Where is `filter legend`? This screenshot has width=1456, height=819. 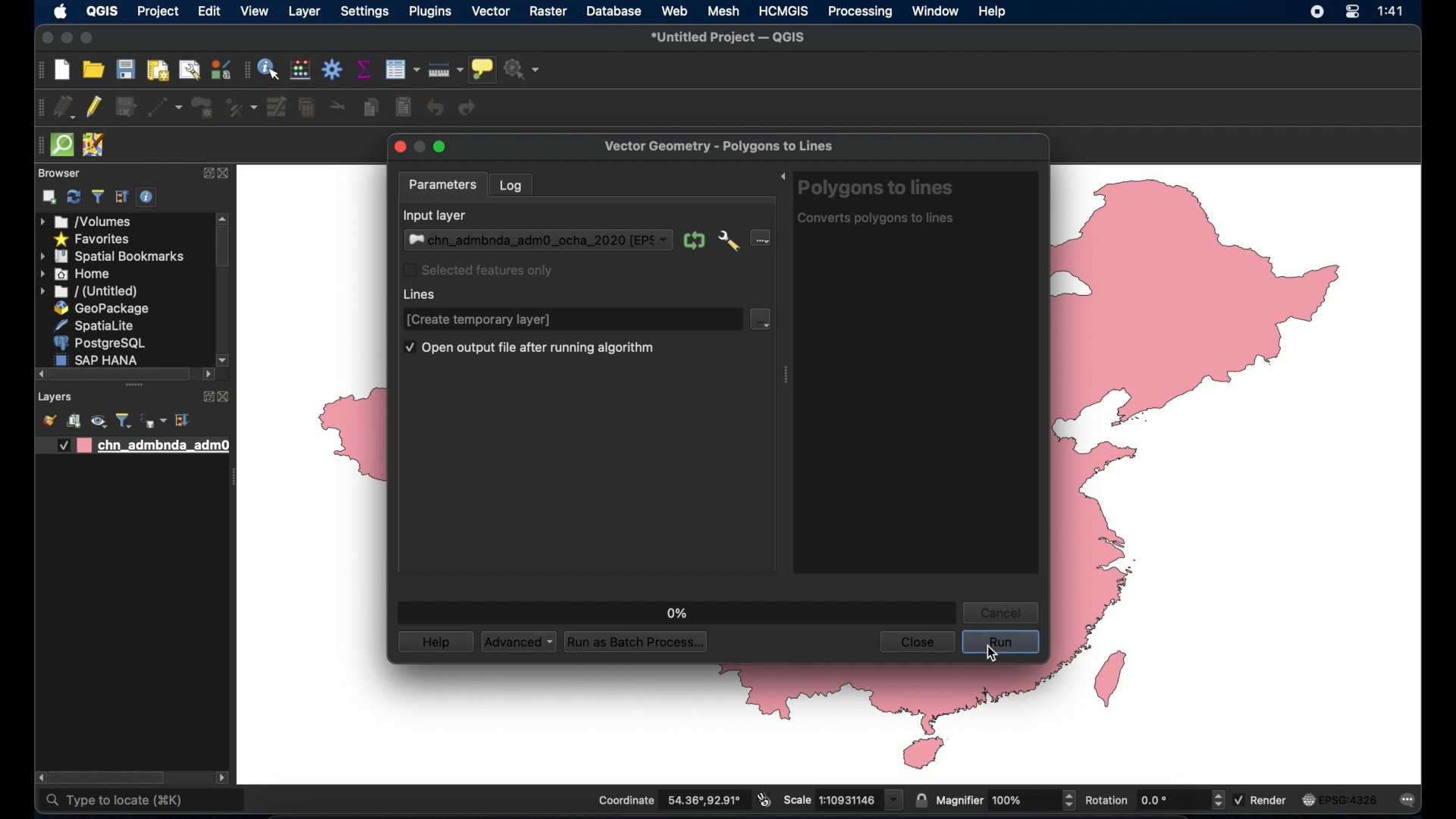
filter legend is located at coordinates (124, 420).